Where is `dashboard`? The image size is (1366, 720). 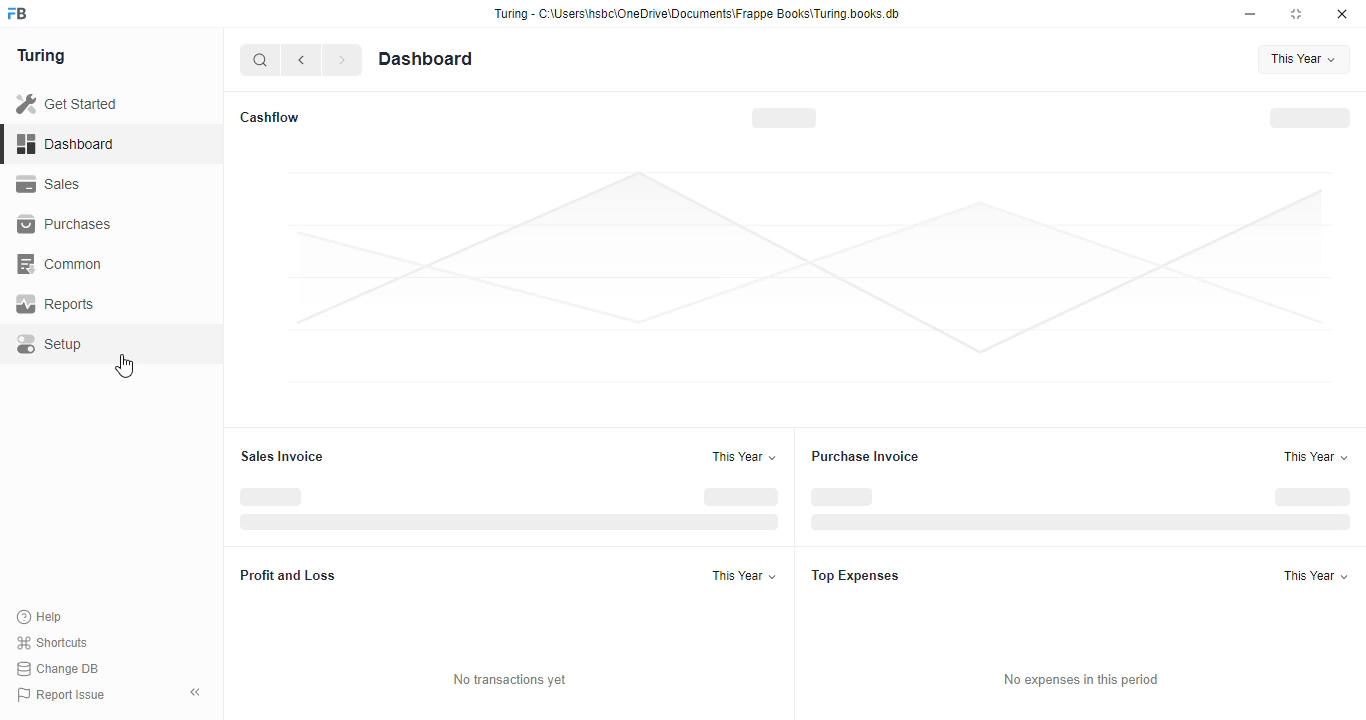
dashboard is located at coordinates (65, 143).